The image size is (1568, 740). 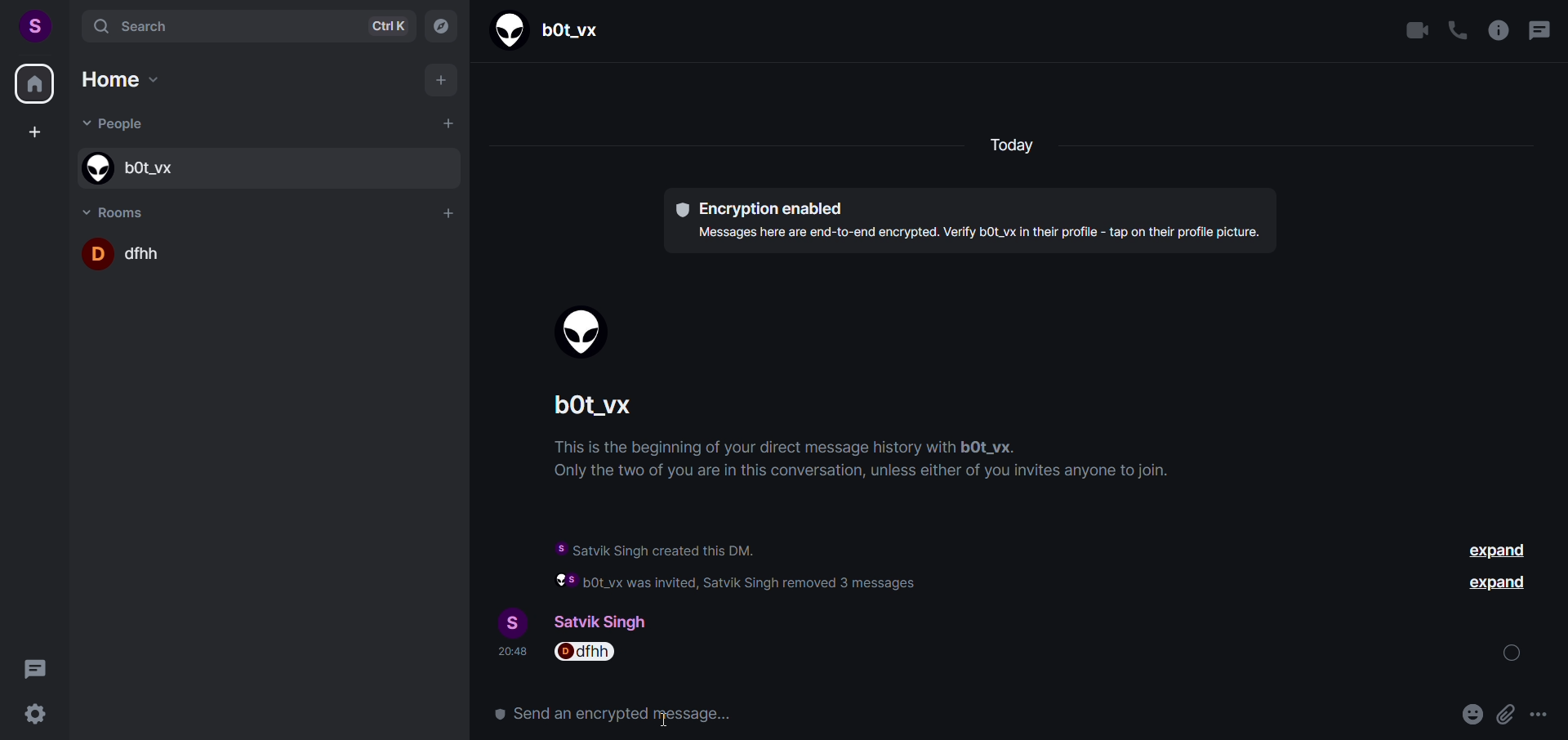 I want to click on display picture, so click(x=588, y=335).